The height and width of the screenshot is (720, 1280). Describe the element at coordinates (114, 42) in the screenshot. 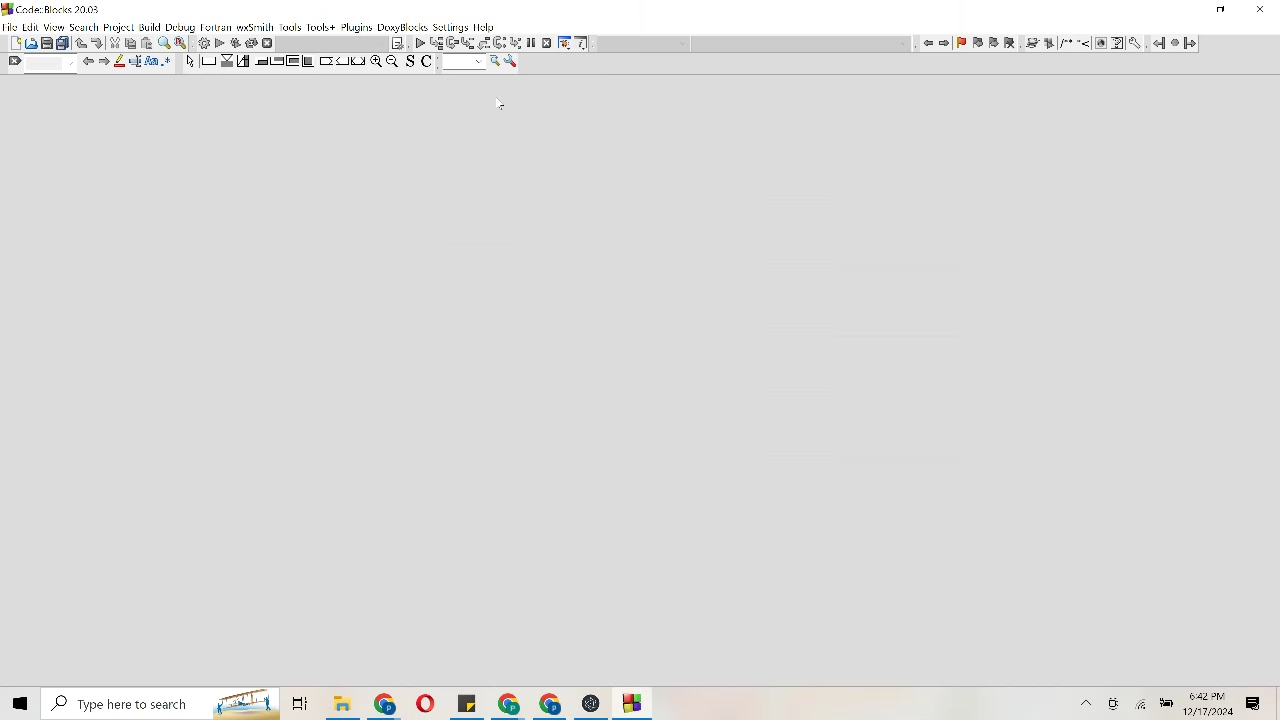

I see `Trim` at that location.